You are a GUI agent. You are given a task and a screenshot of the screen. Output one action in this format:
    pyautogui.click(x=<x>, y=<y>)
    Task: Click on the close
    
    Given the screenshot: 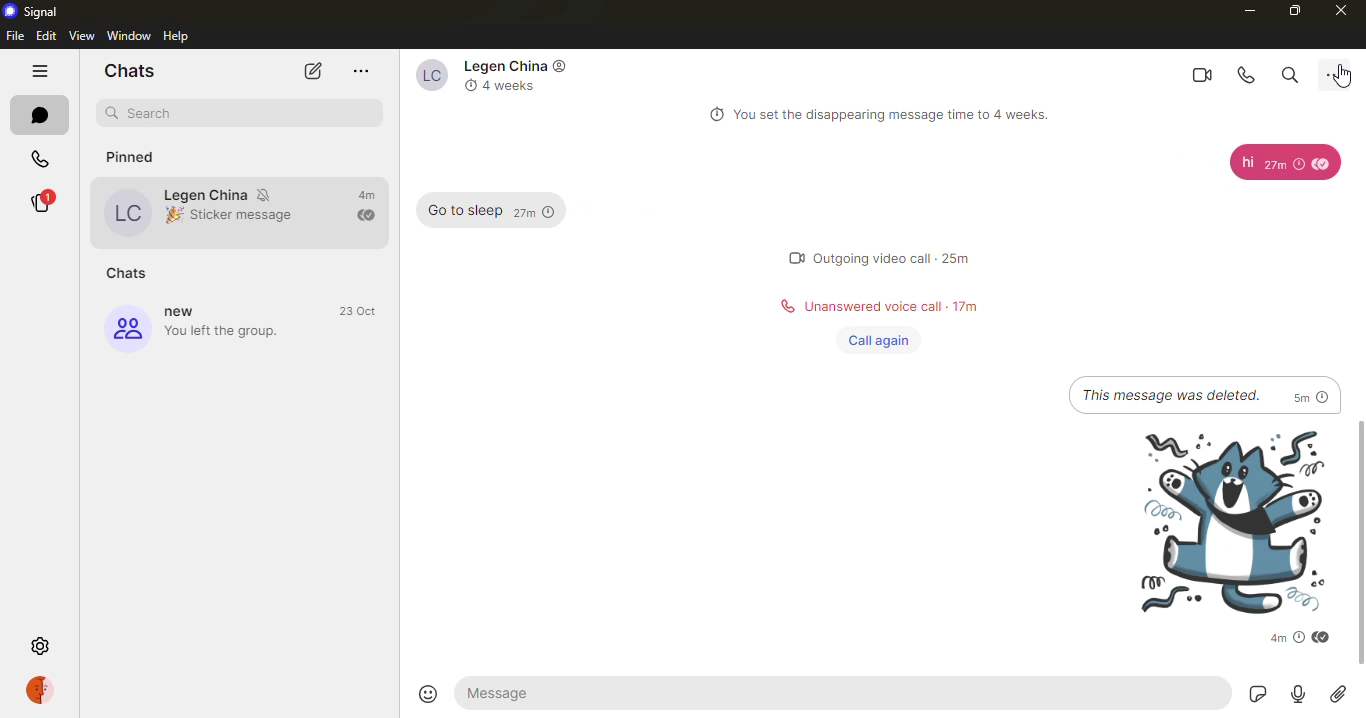 What is the action you would take?
    pyautogui.click(x=1341, y=13)
    